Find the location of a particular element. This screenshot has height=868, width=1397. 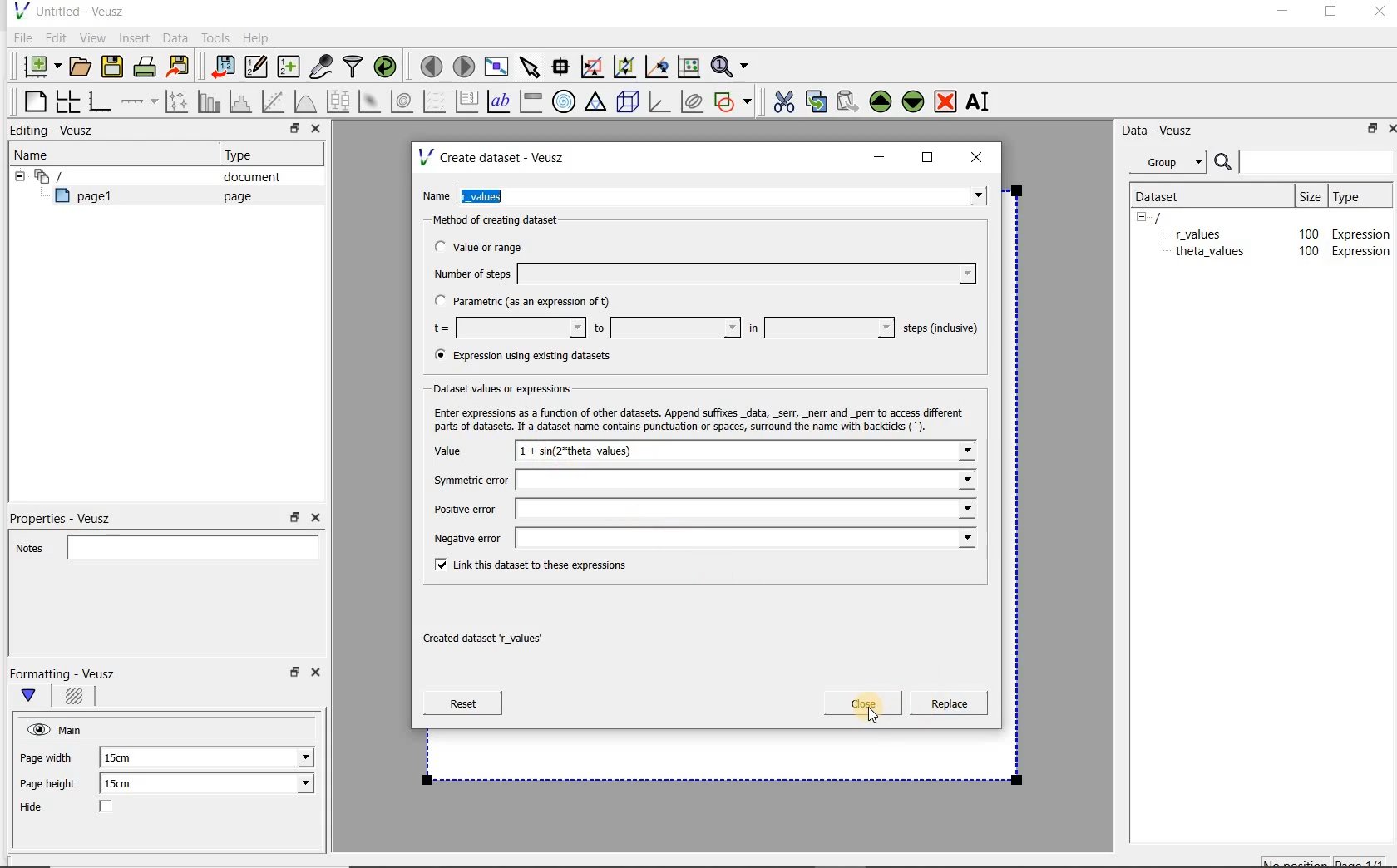

Editing - Veusz is located at coordinates (56, 131).